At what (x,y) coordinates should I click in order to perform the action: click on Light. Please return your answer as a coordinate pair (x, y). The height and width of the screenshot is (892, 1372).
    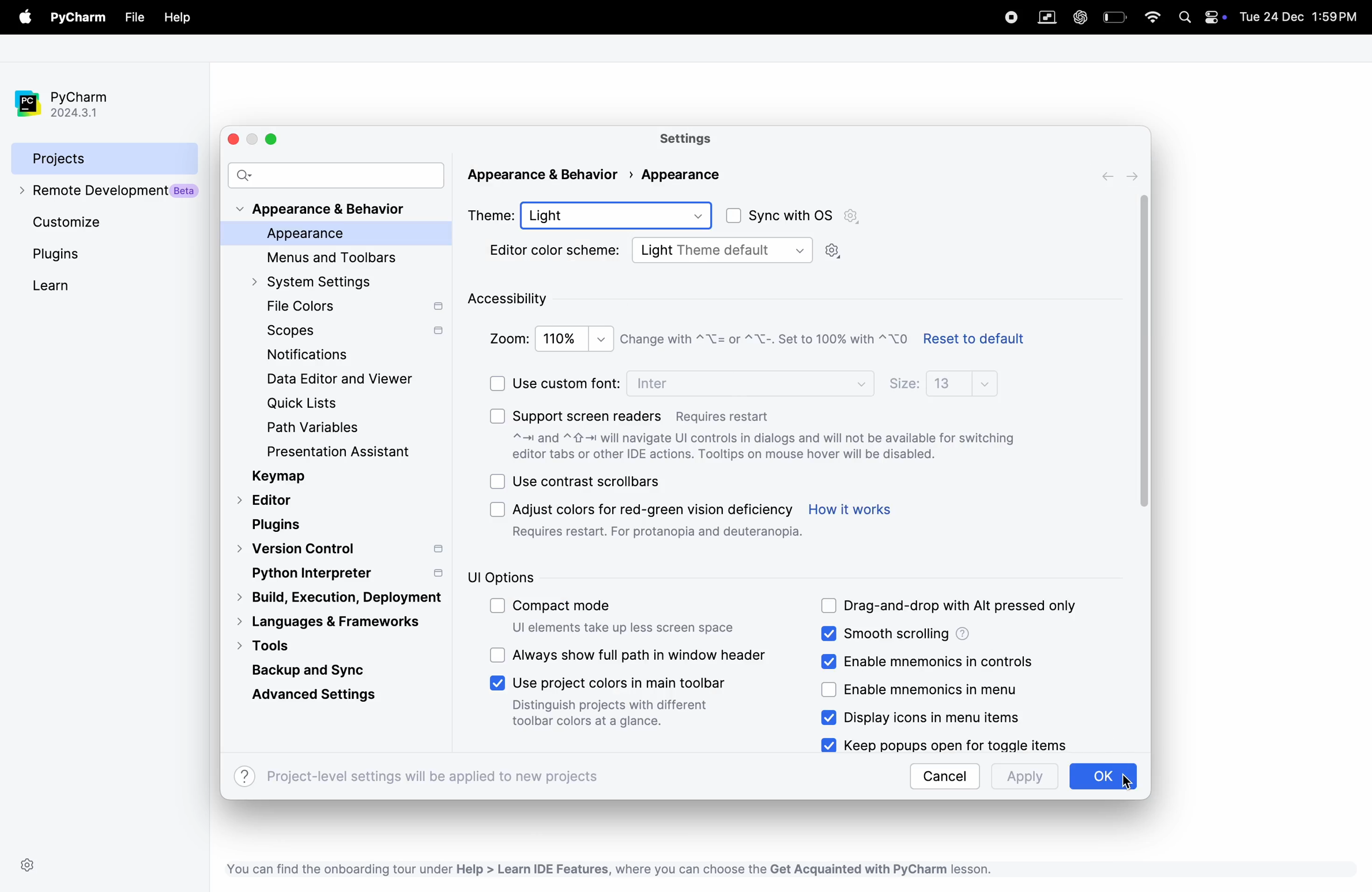
    Looking at the image, I should click on (624, 214).